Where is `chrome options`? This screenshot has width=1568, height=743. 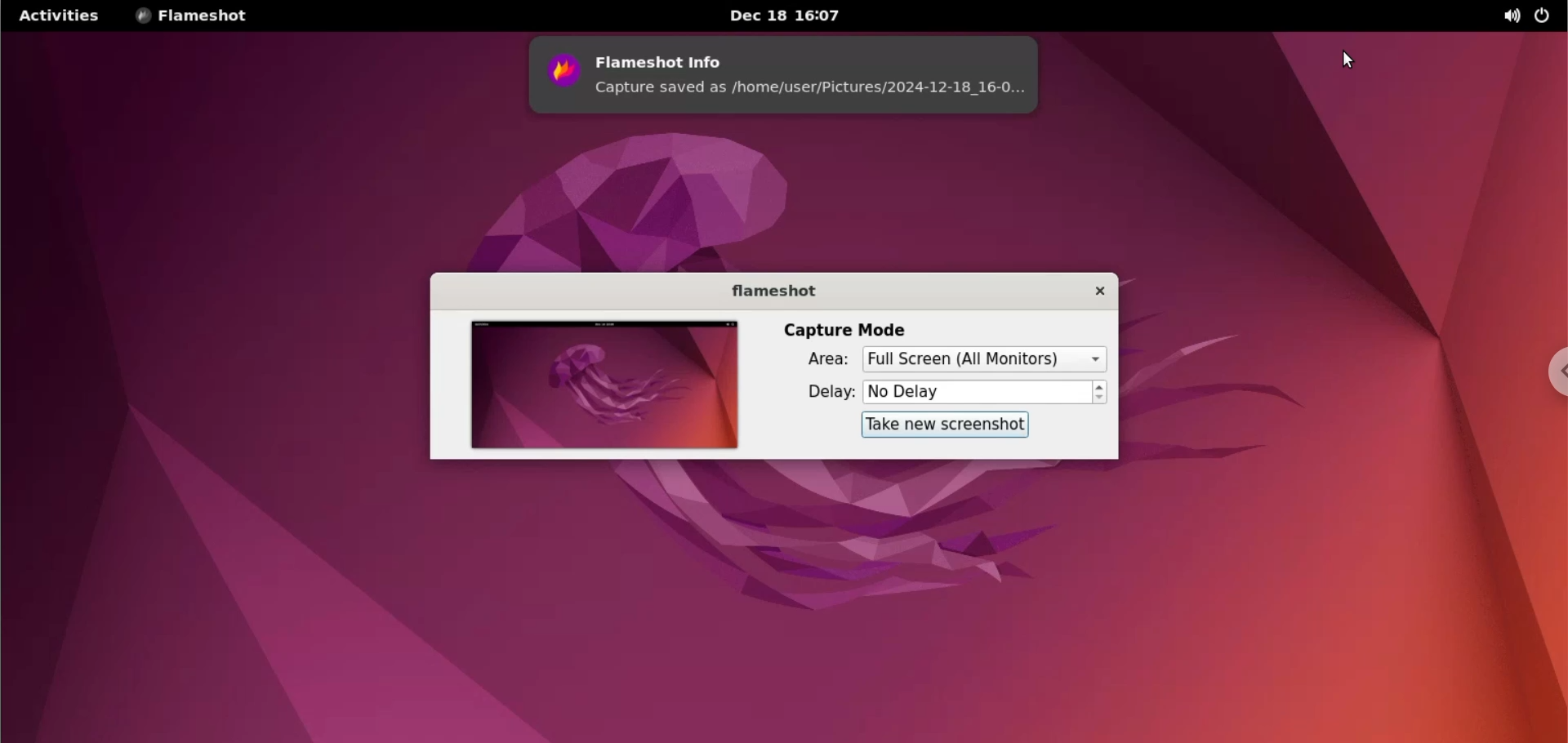
chrome options is located at coordinates (1552, 371).